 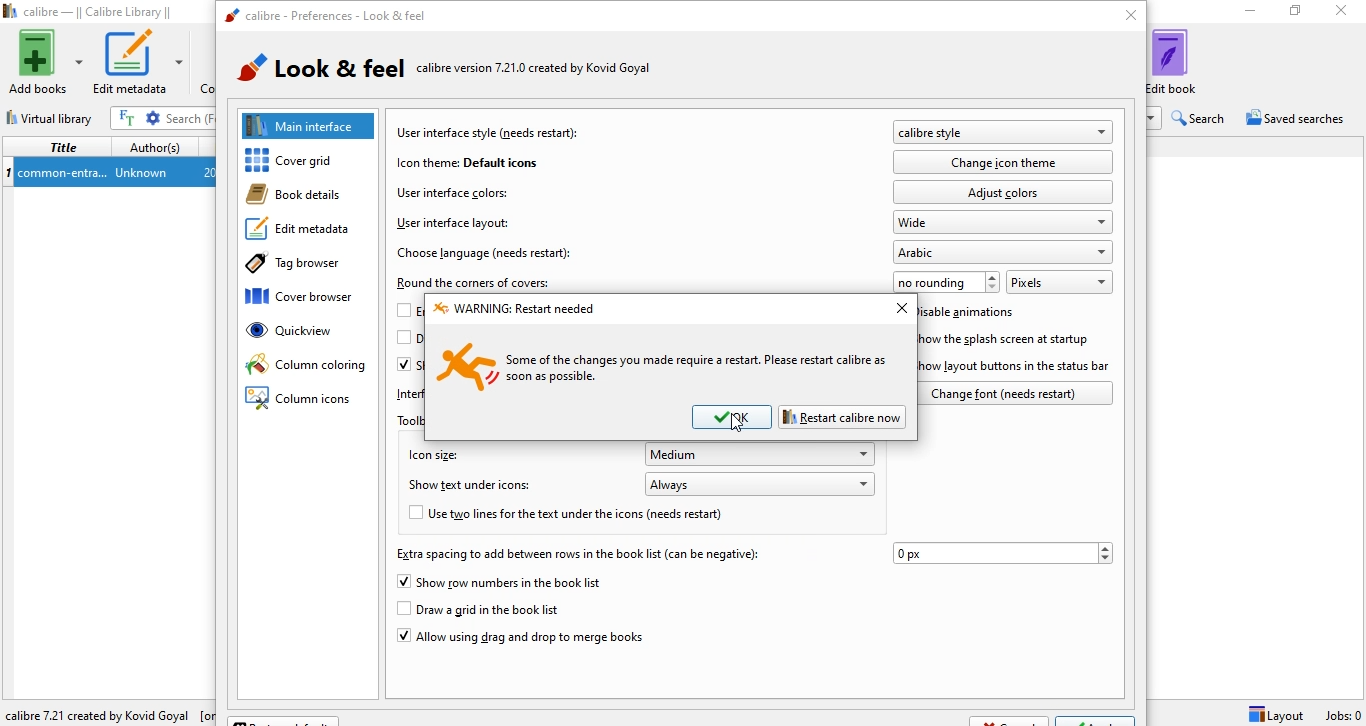 I want to click on show row number in the book list, so click(x=501, y=583).